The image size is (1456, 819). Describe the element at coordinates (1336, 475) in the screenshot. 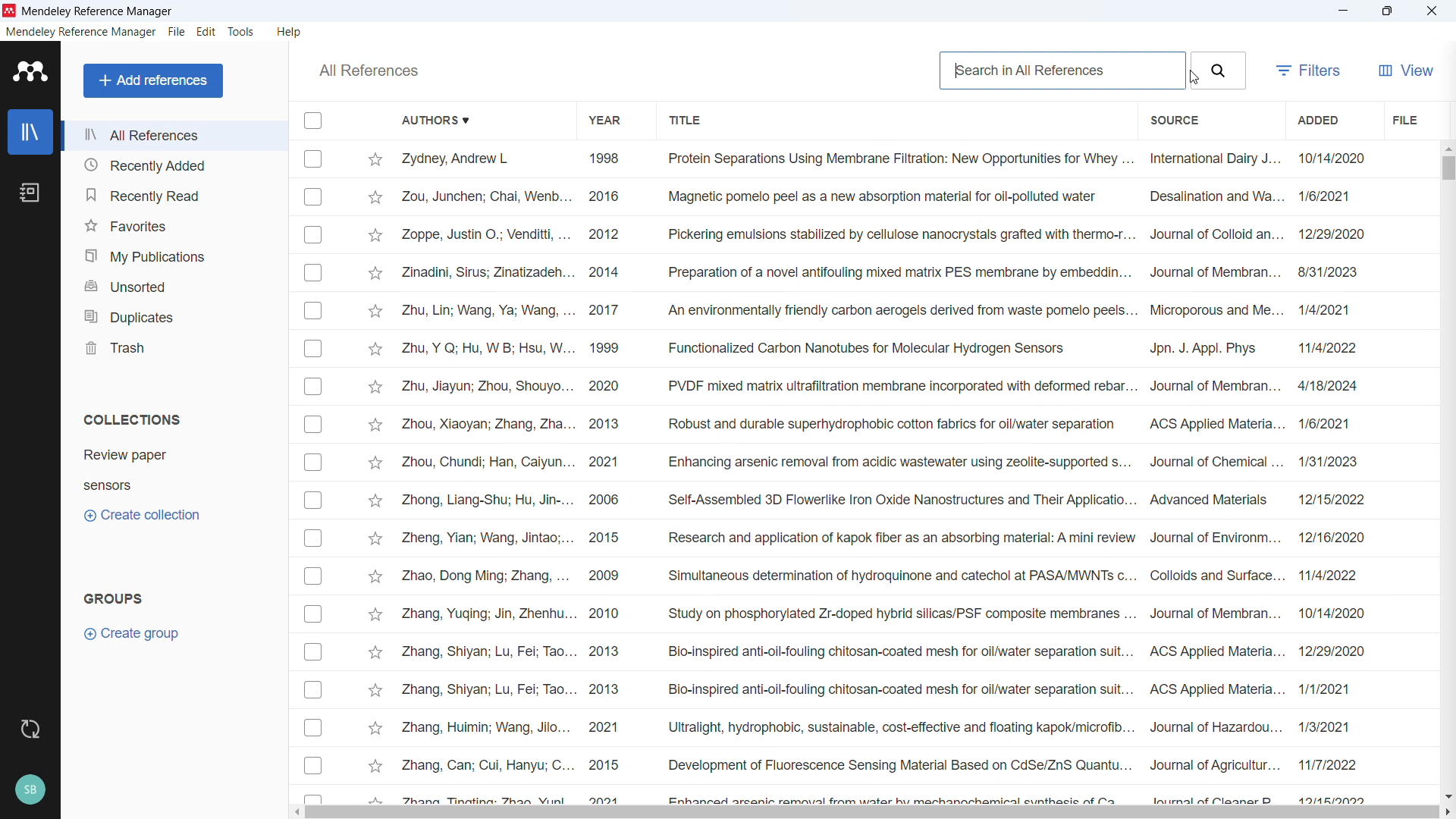

I see `Dates of adding individual entries ` at that location.